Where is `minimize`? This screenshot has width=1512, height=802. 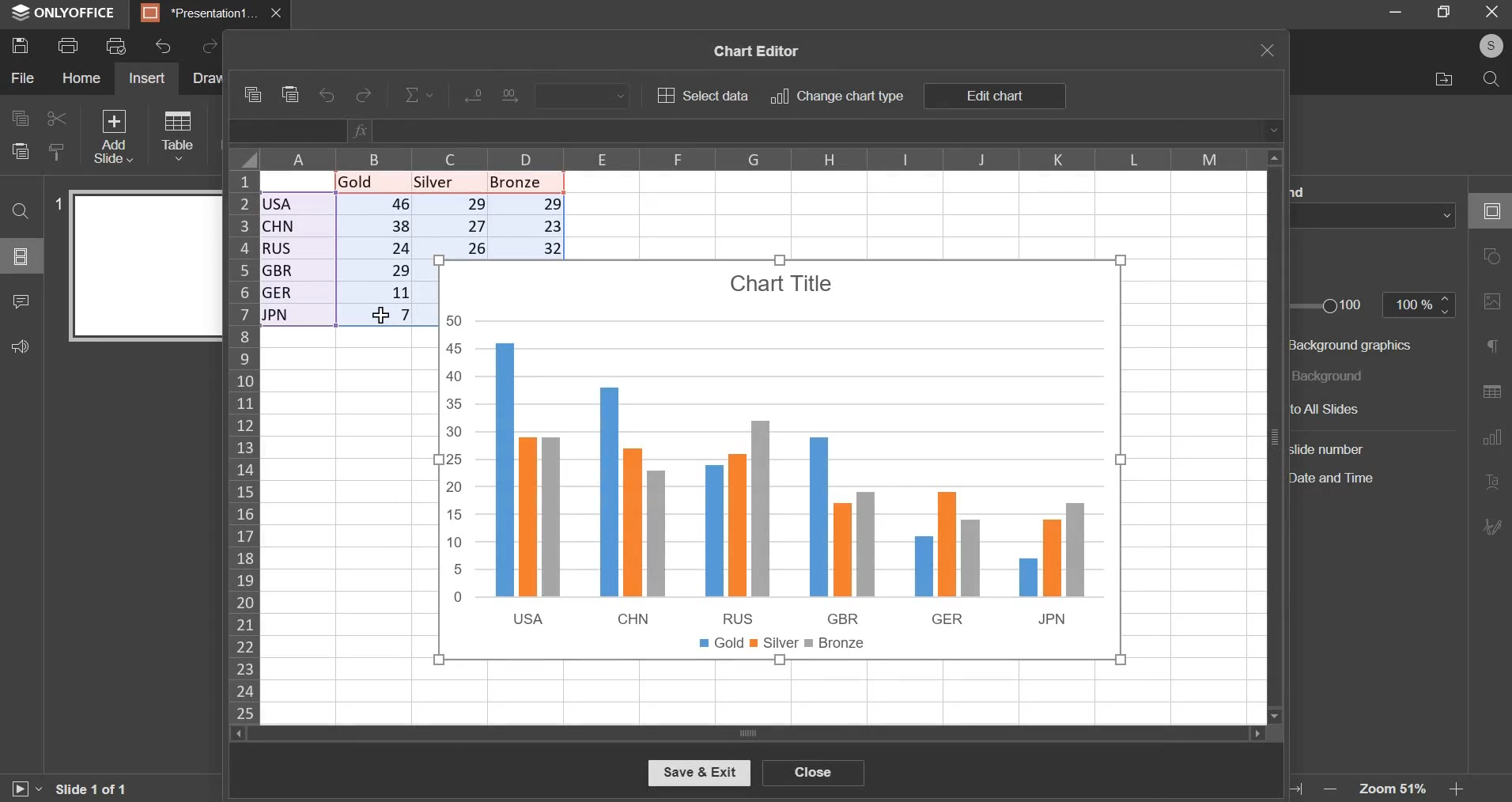 minimize is located at coordinates (1398, 10).